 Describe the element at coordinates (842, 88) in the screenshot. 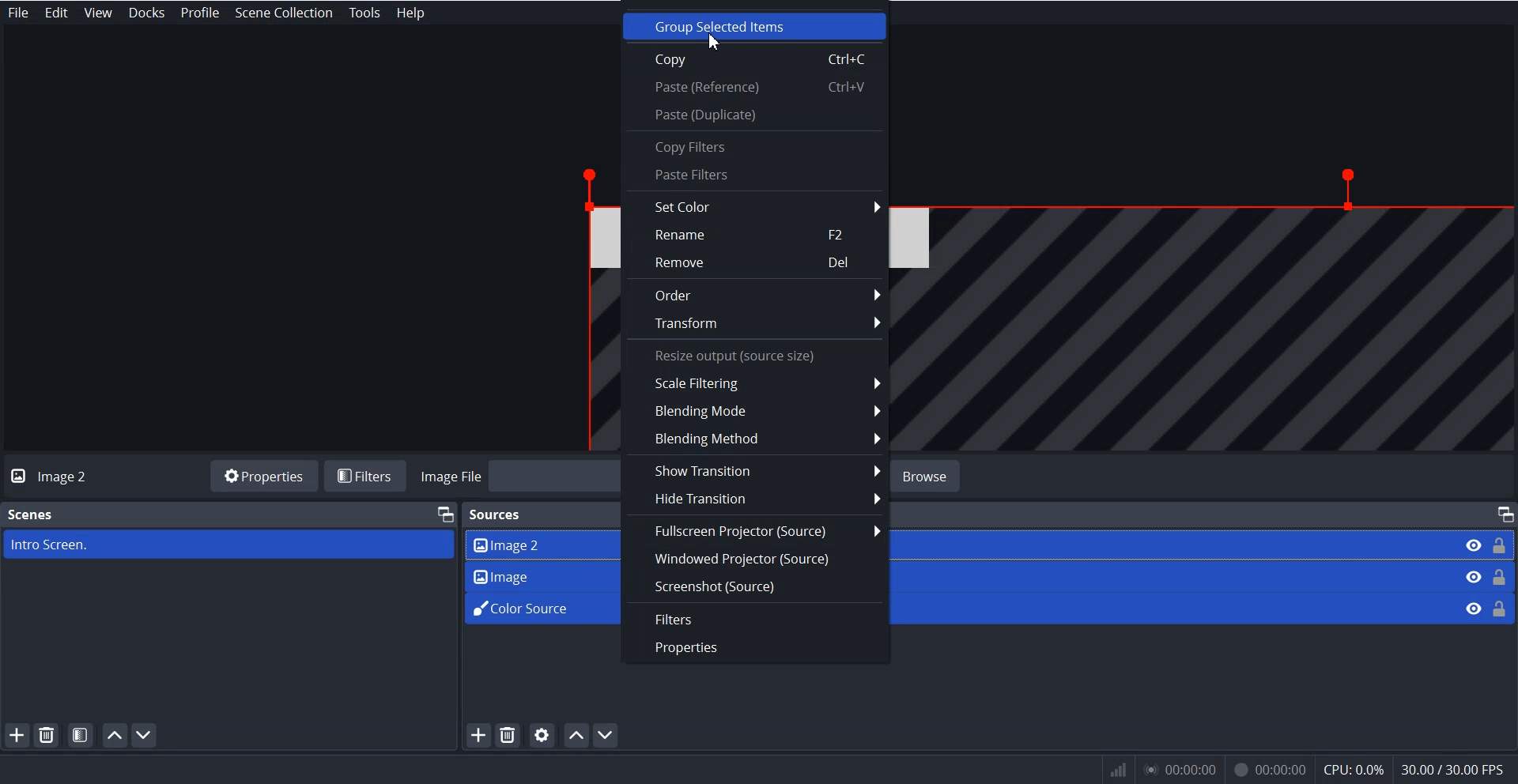

I see `ctrl+v` at that location.